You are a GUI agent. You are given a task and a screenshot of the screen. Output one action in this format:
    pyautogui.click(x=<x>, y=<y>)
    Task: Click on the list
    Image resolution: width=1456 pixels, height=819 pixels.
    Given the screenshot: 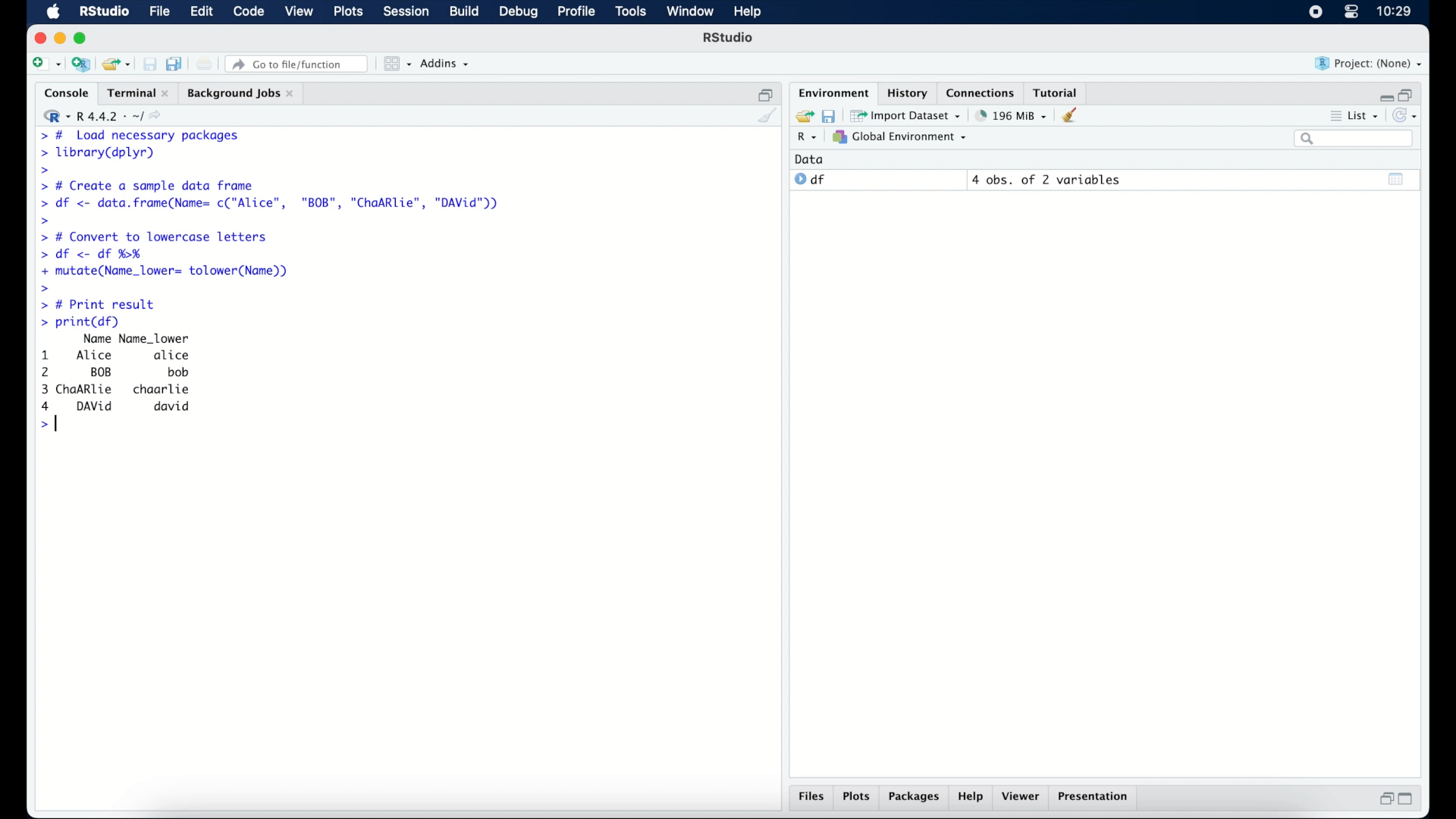 What is the action you would take?
    pyautogui.click(x=1353, y=118)
    